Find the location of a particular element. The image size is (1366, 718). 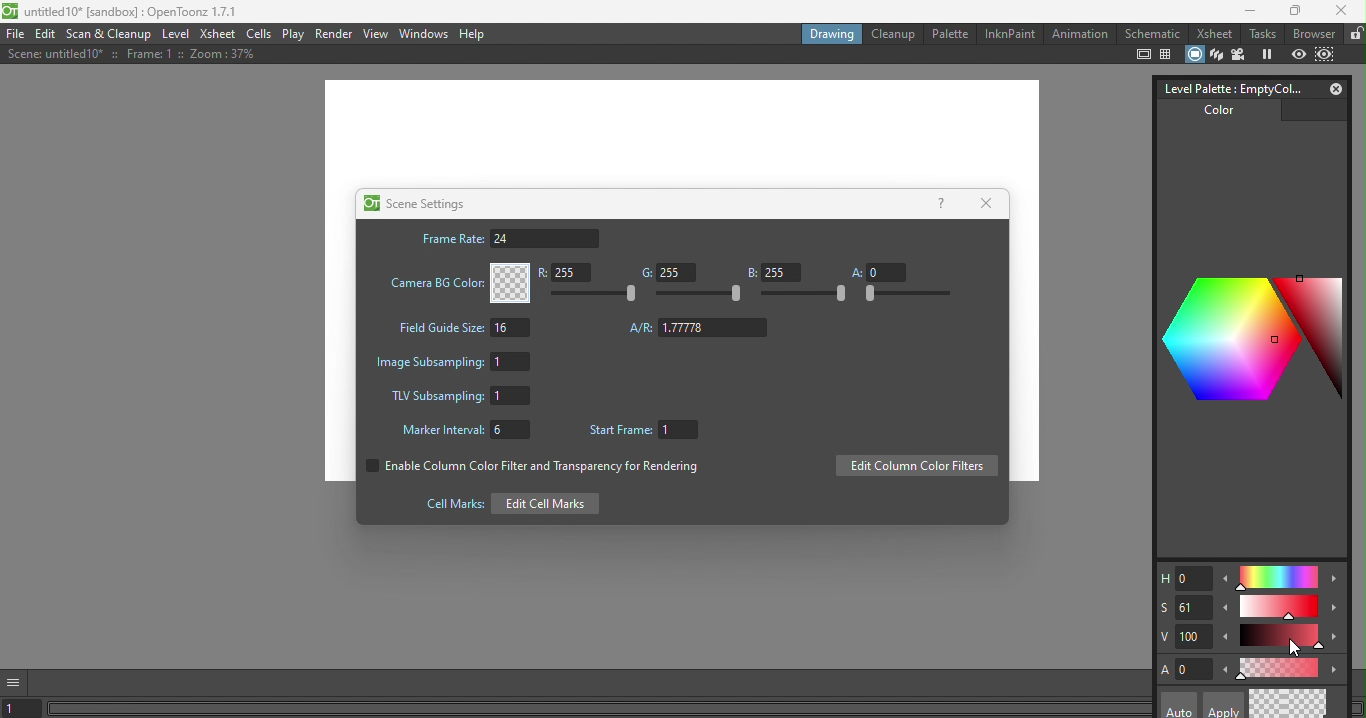

Current style is located at coordinates (1269, 704).